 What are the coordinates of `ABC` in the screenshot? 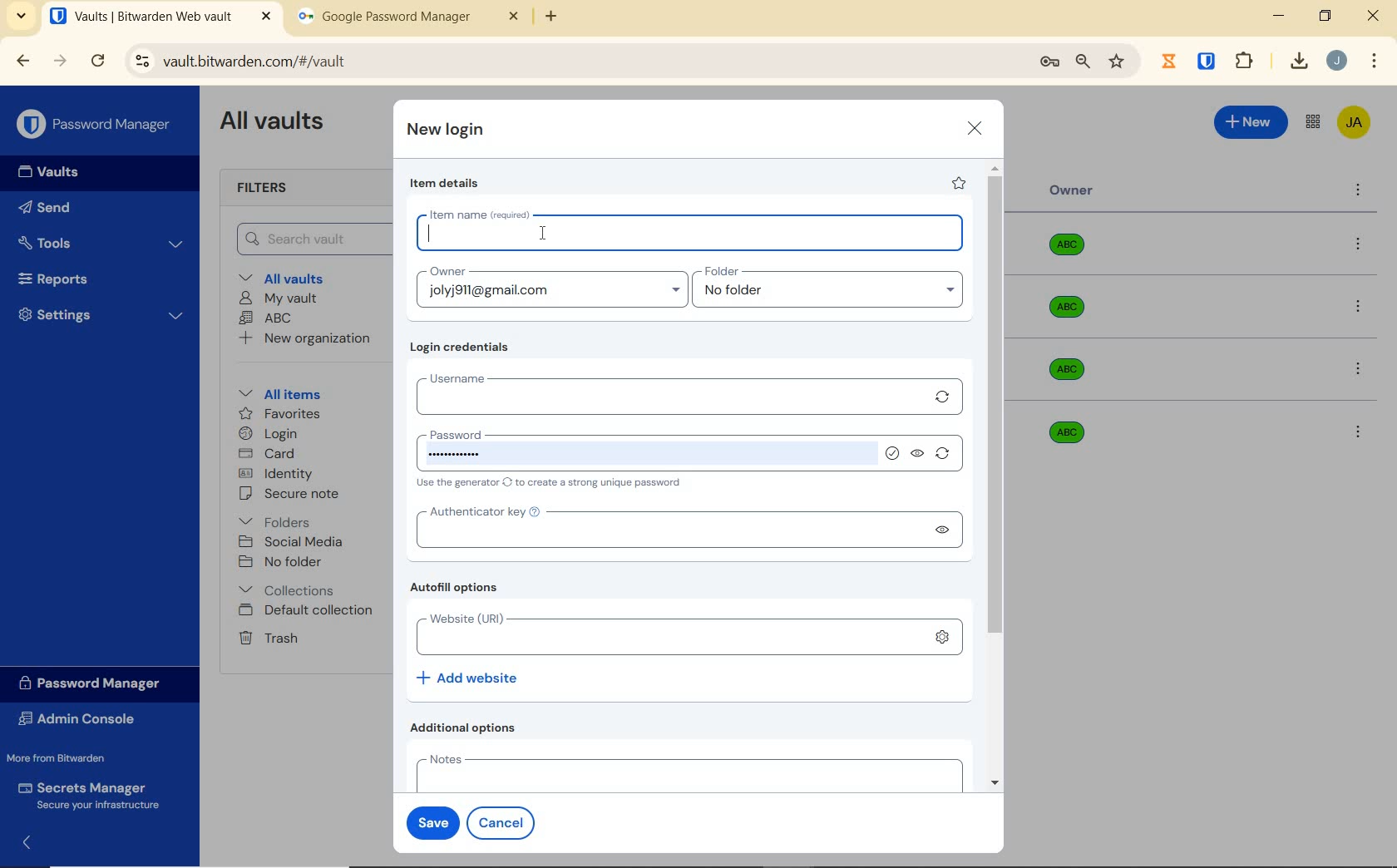 It's located at (265, 318).